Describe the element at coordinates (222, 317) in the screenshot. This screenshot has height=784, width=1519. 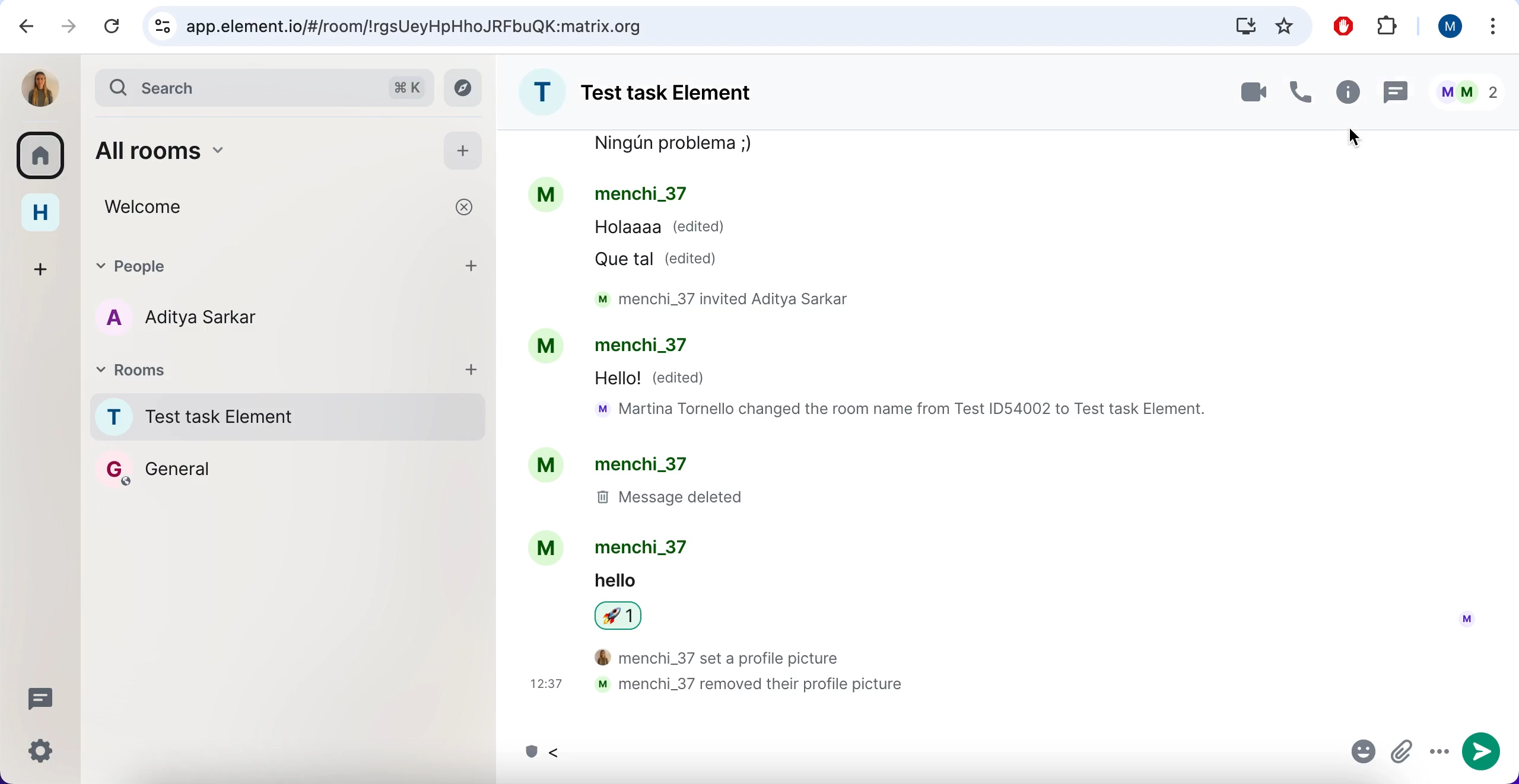
I see `chat member` at that location.